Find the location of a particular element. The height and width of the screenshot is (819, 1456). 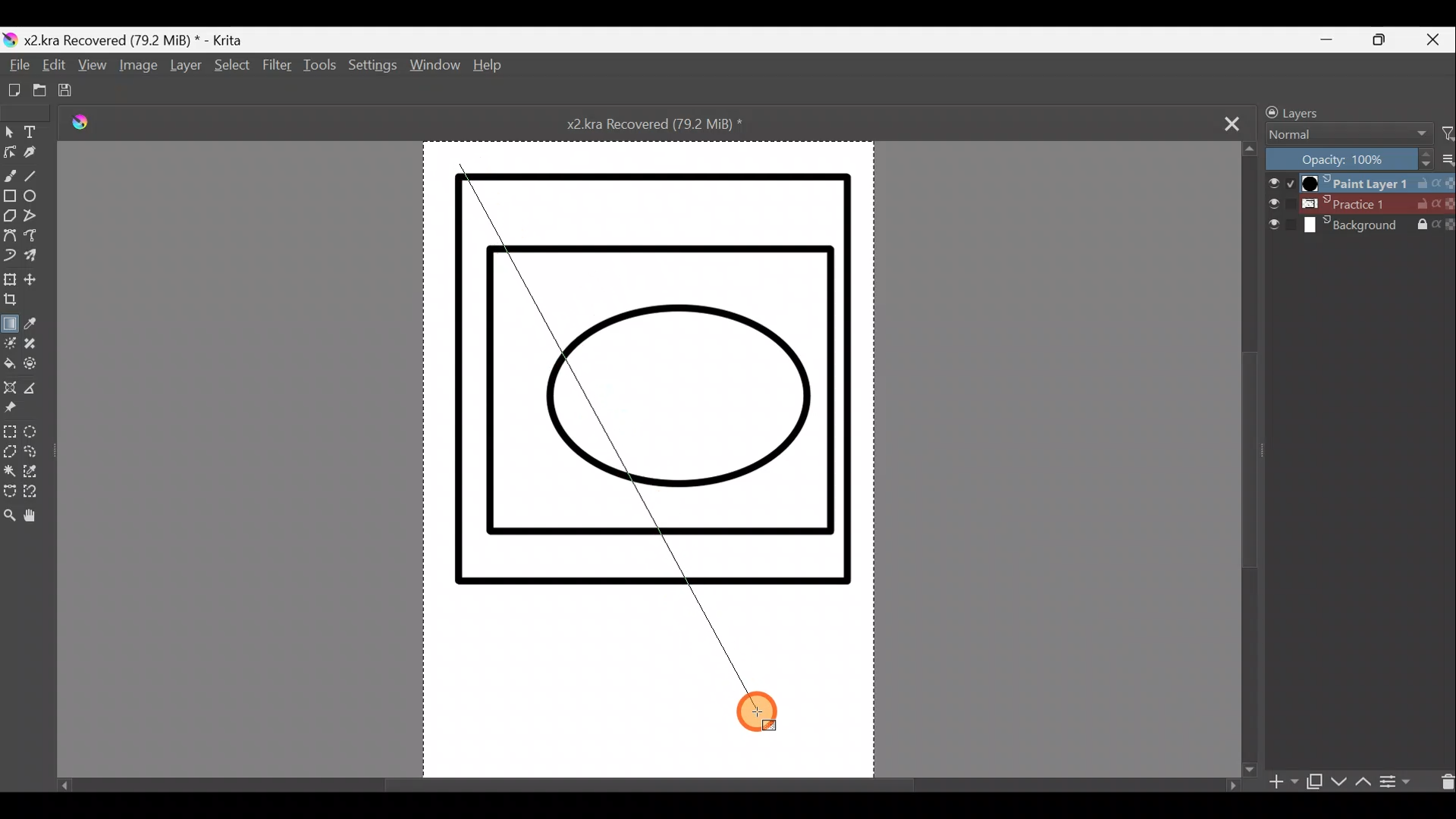

Sample a colour from the image/current layer is located at coordinates (34, 324).